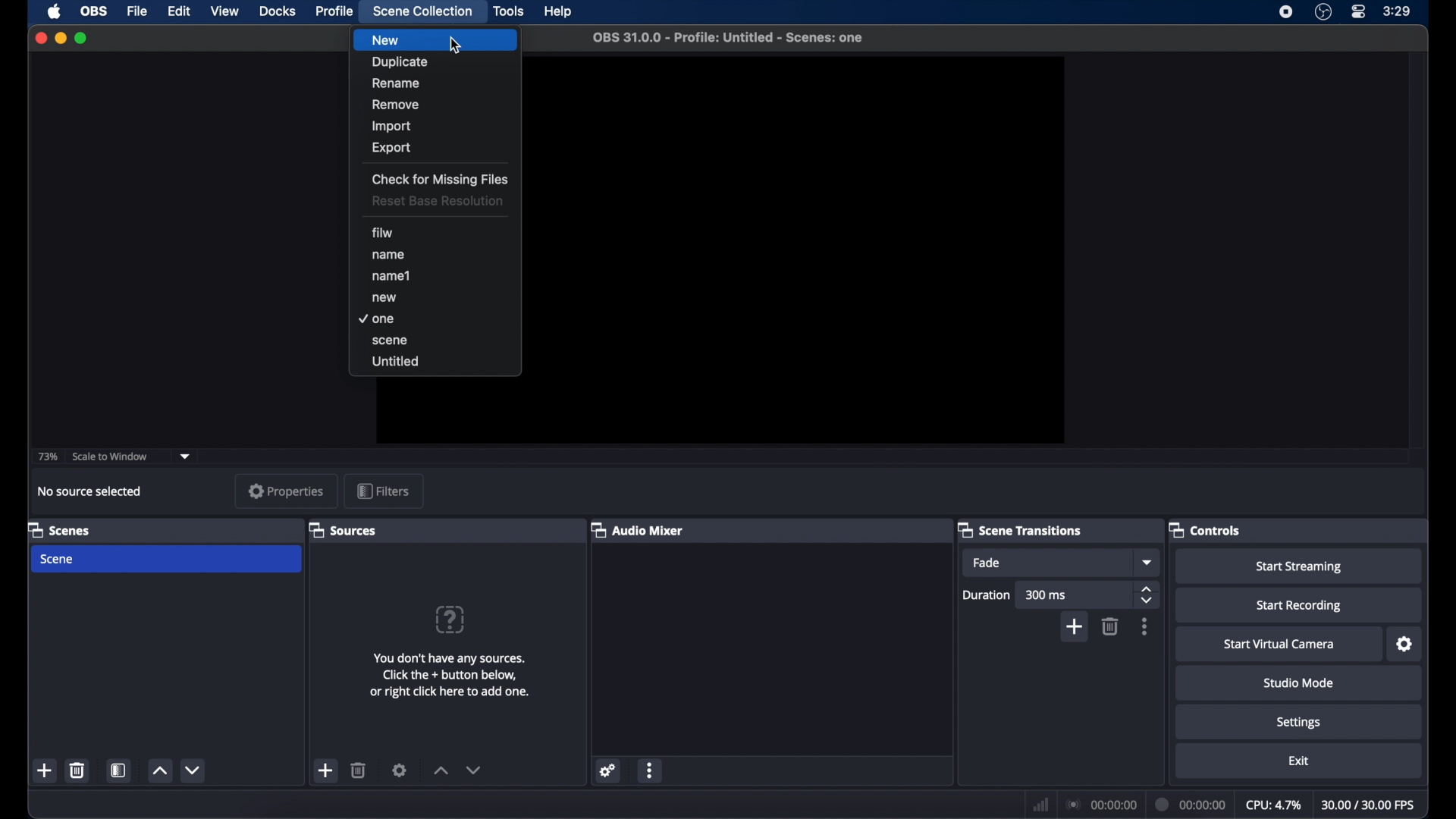 Image resolution: width=1456 pixels, height=819 pixels. I want to click on add, so click(1074, 628).